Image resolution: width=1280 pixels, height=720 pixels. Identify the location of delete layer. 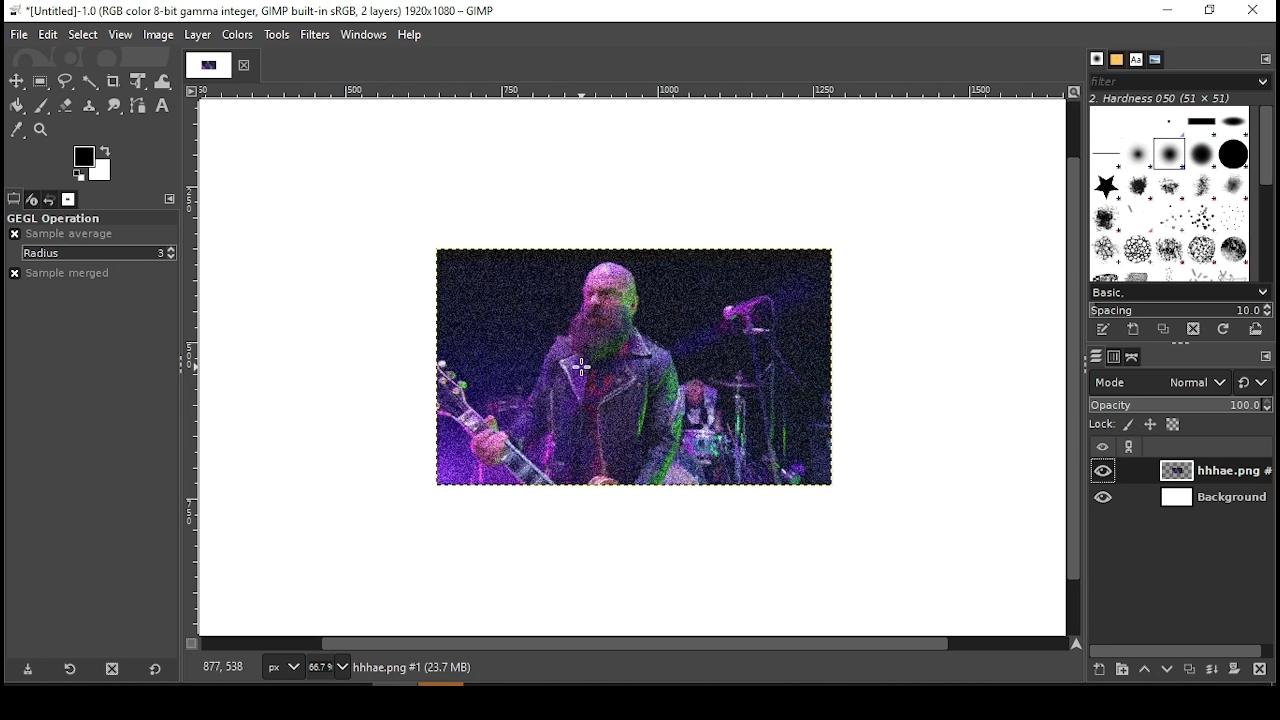
(1263, 670).